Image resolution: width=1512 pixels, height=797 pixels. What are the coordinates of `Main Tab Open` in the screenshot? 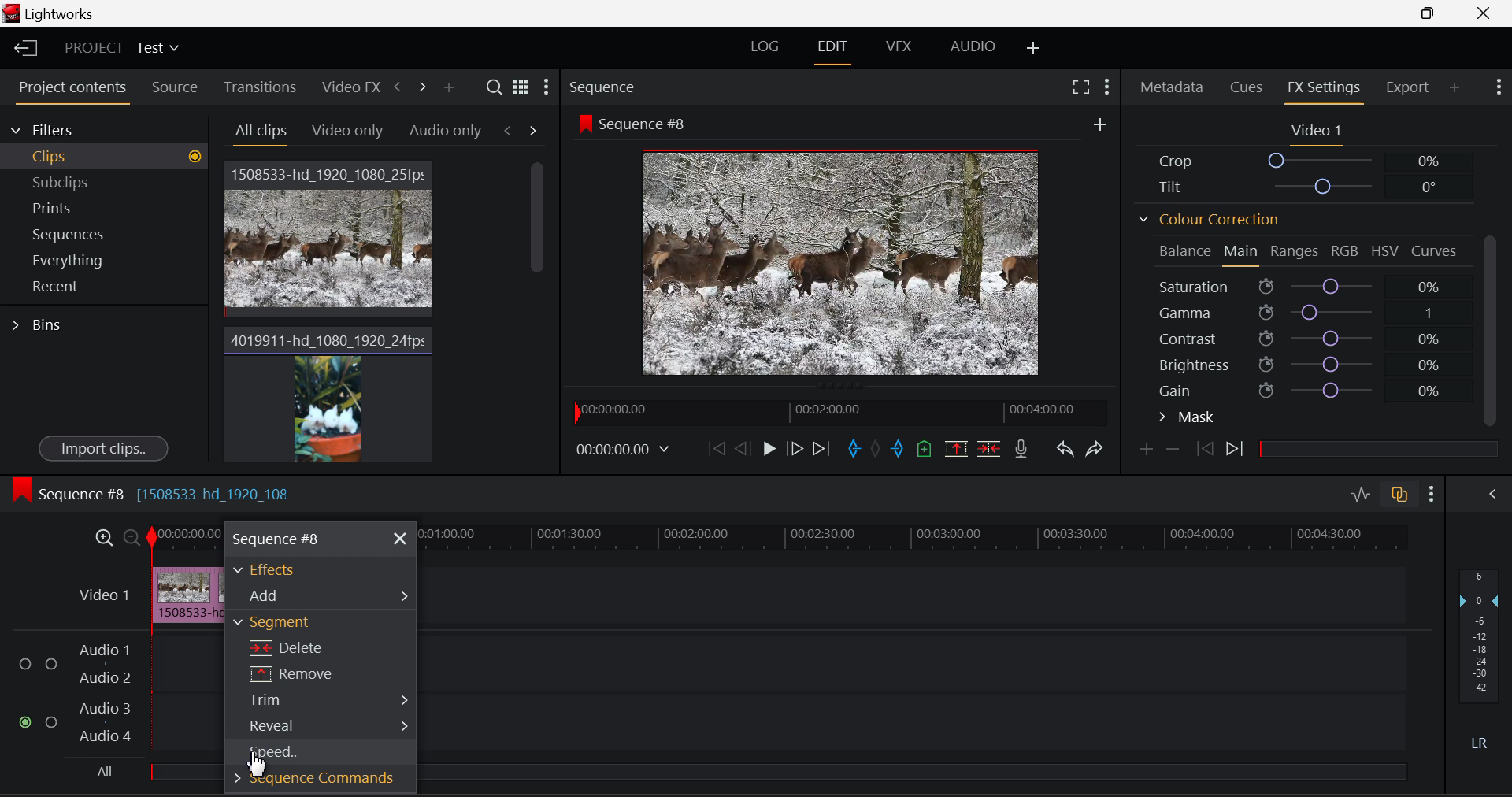 It's located at (1242, 254).